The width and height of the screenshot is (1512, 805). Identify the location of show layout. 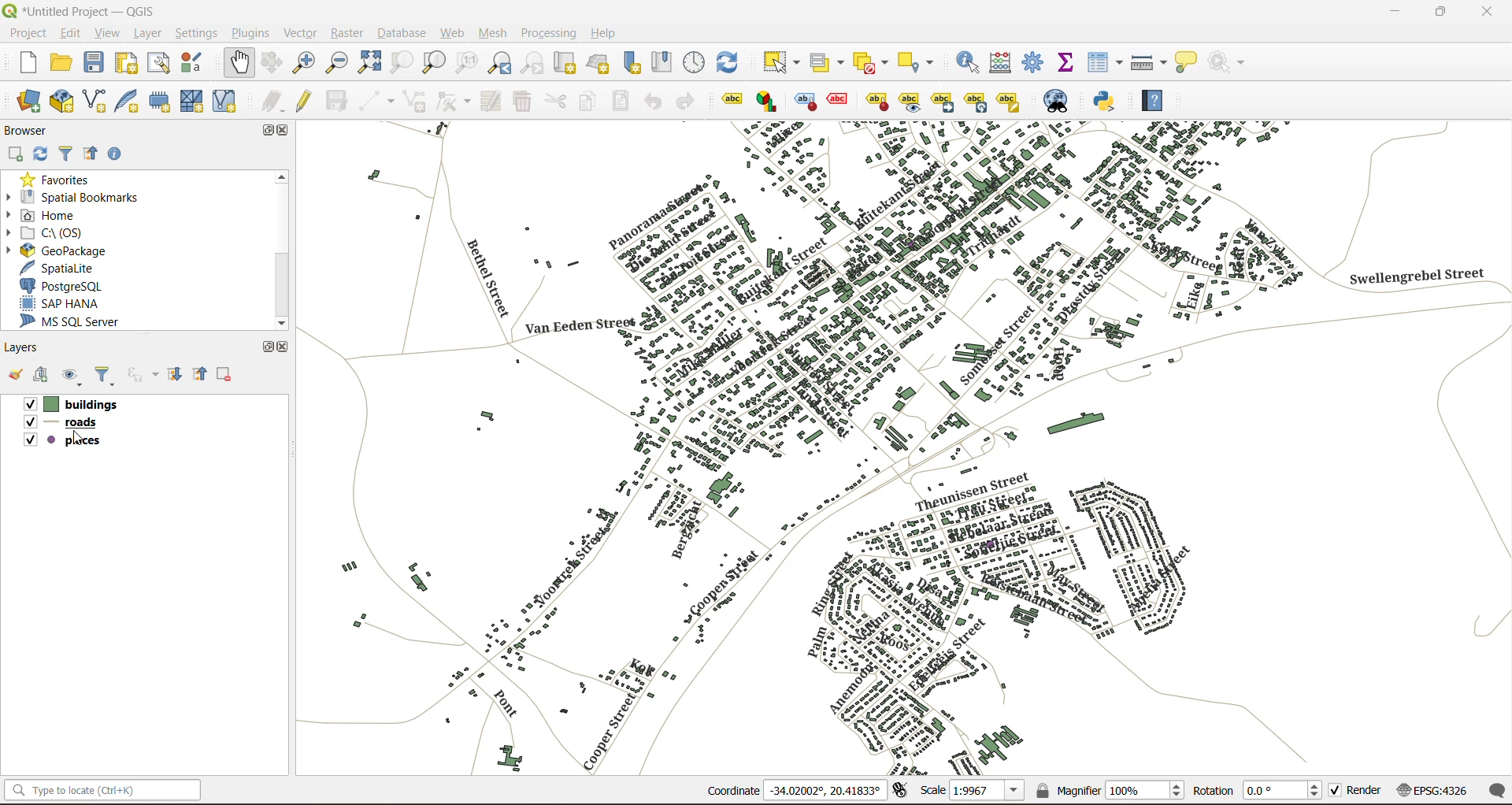
(157, 63).